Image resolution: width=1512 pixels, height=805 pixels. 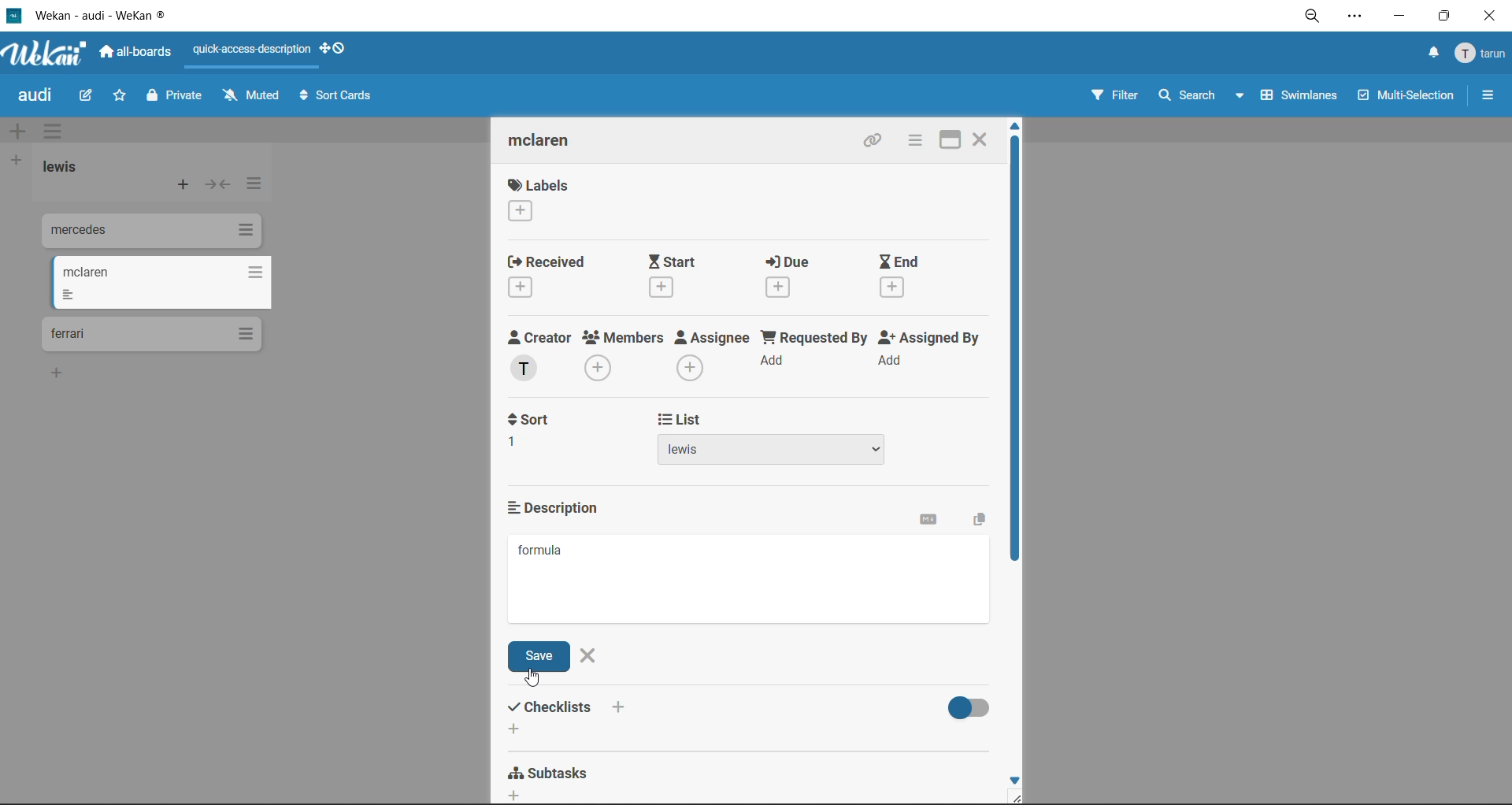 What do you see at coordinates (253, 50) in the screenshot?
I see `quick access description` at bounding box center [253, 50].